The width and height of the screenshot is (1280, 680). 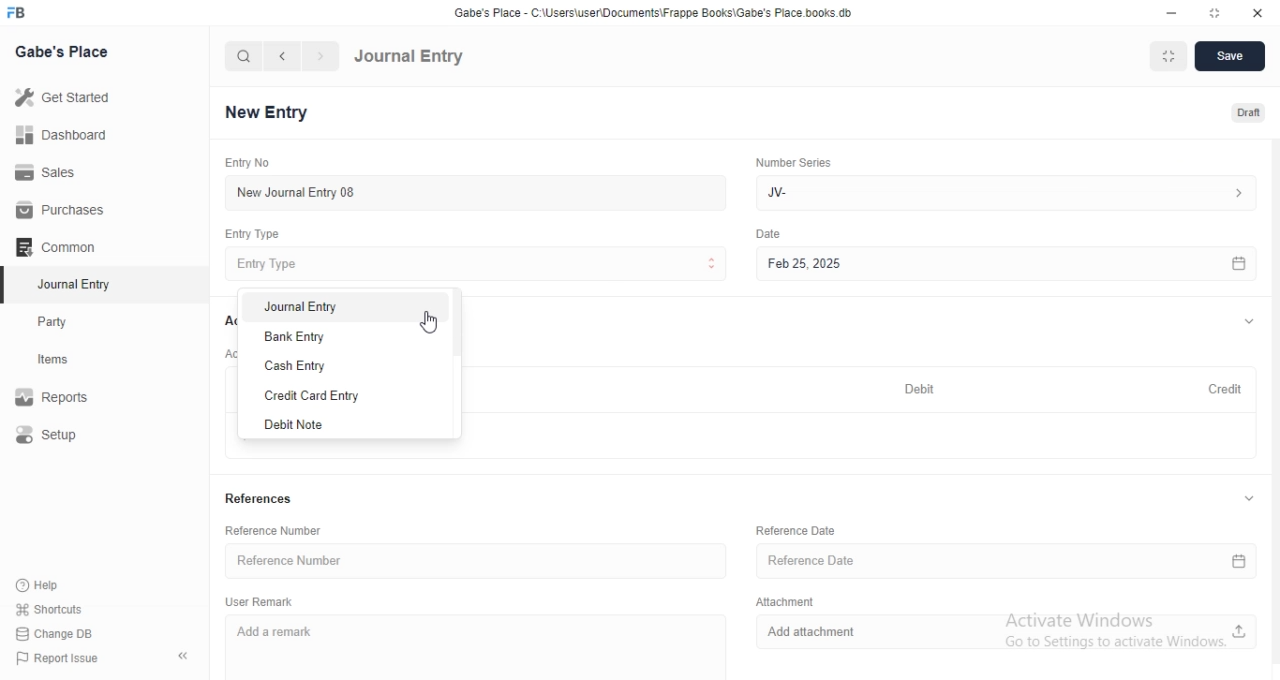 I want to click on Gabe's Place, so click(x=61, y=52).